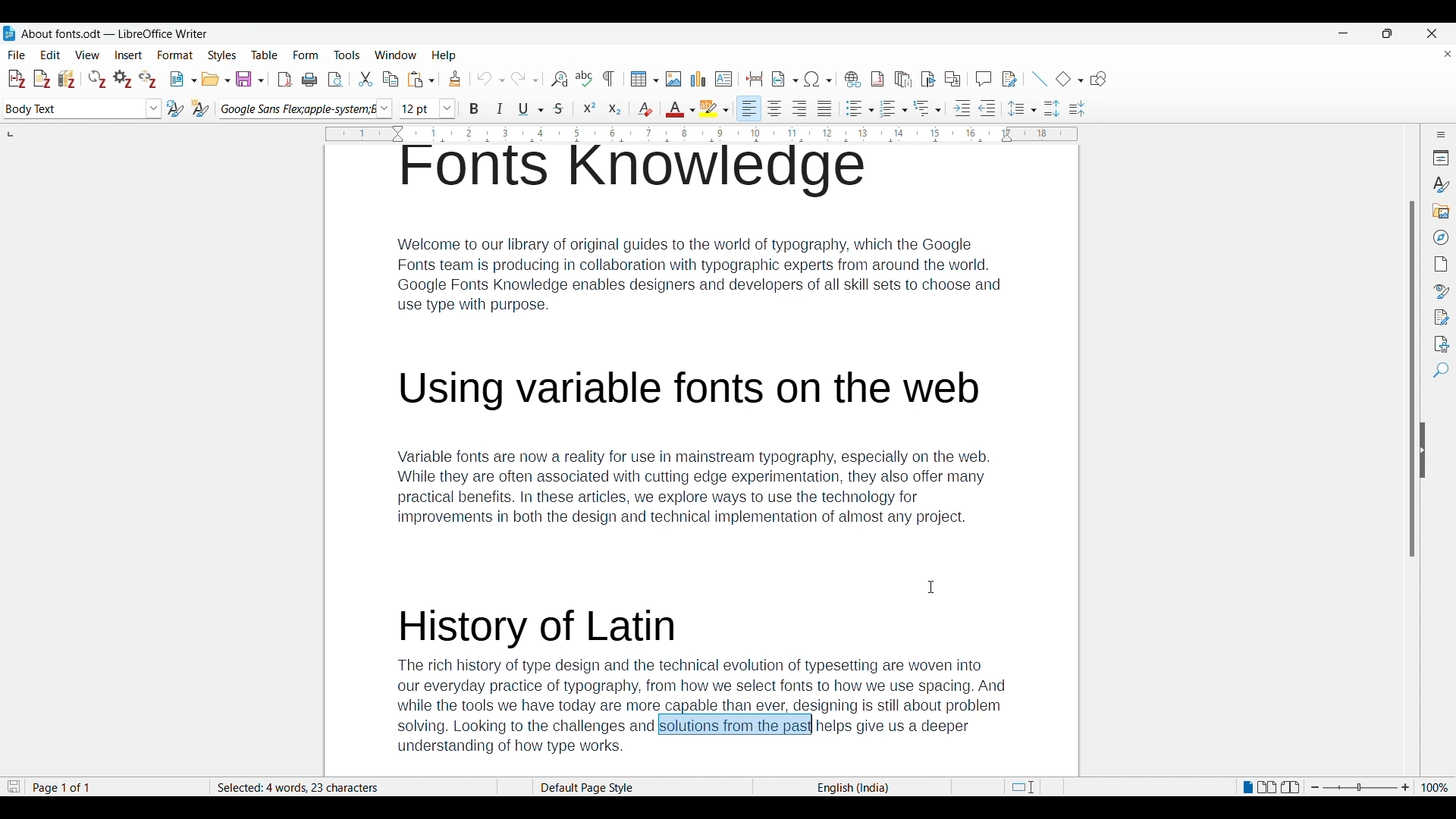  I want to click on Insert footnote, so click(877, 79).